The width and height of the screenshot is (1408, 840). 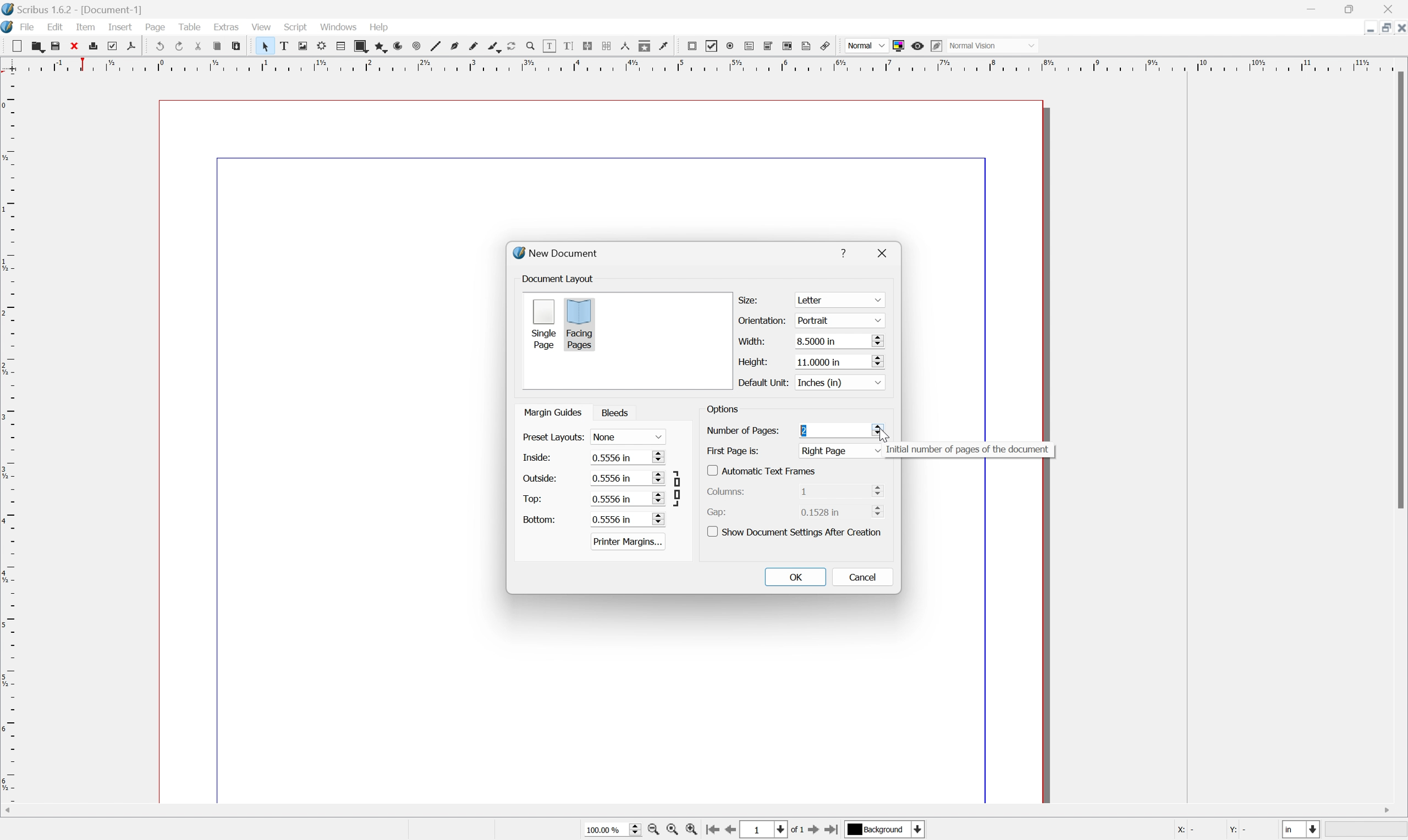 What do you see at coordinates (886, 252) in the screenshot?
I see `close` at bounding box center [886, 252].